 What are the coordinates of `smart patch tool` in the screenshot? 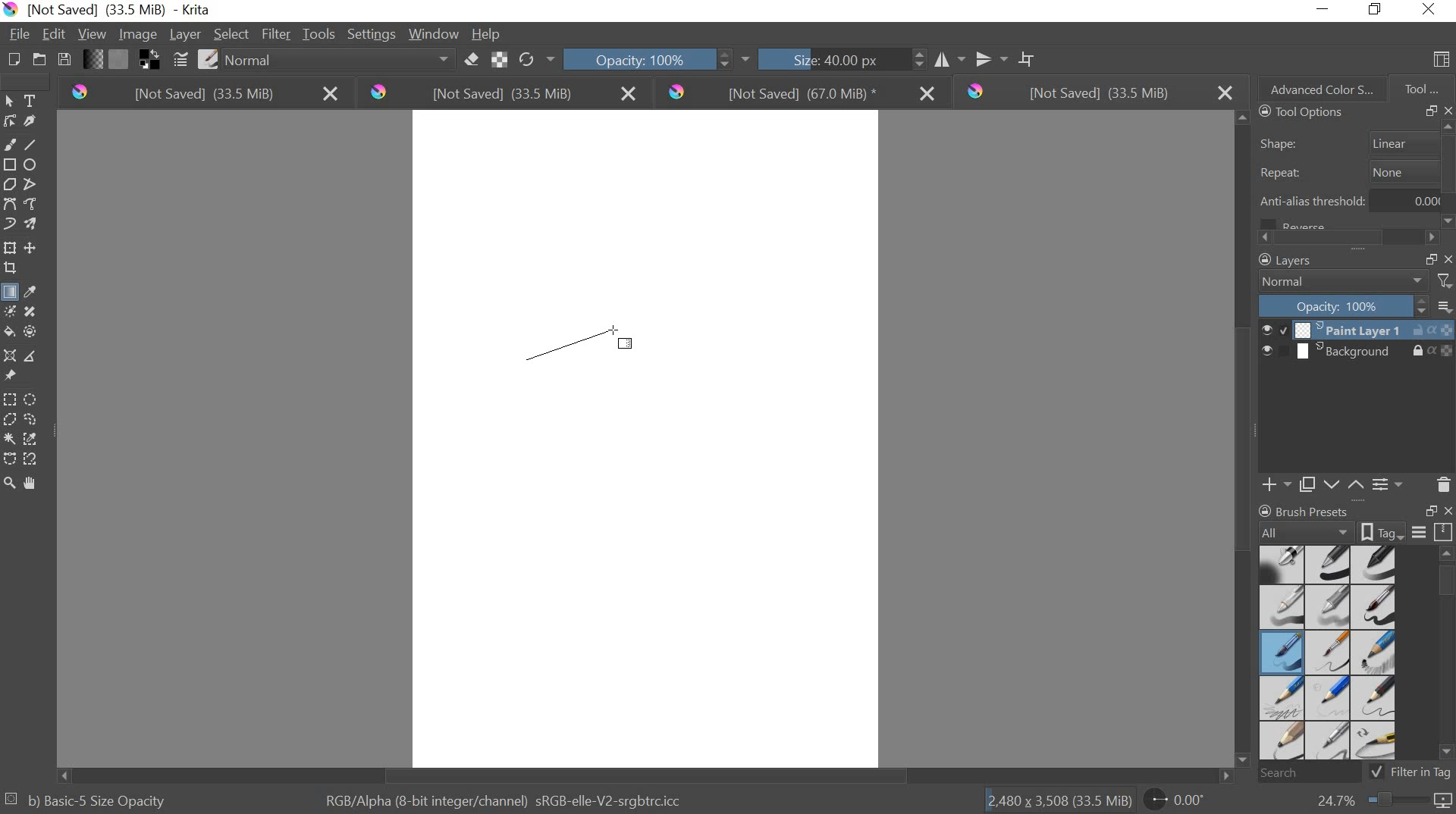 It's located at (35, 310).